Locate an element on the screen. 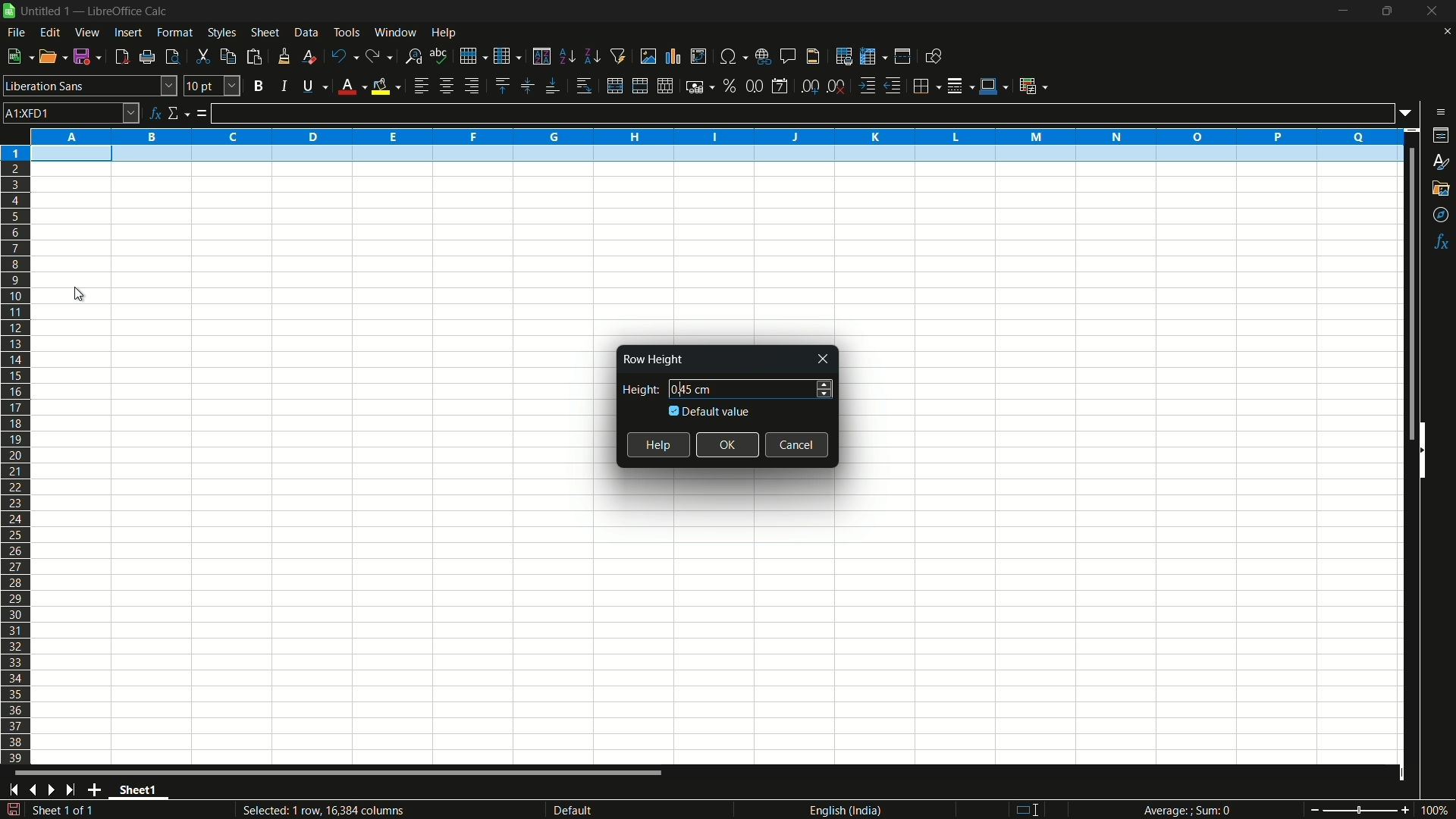  format menu is located at coordinates (175, 33).